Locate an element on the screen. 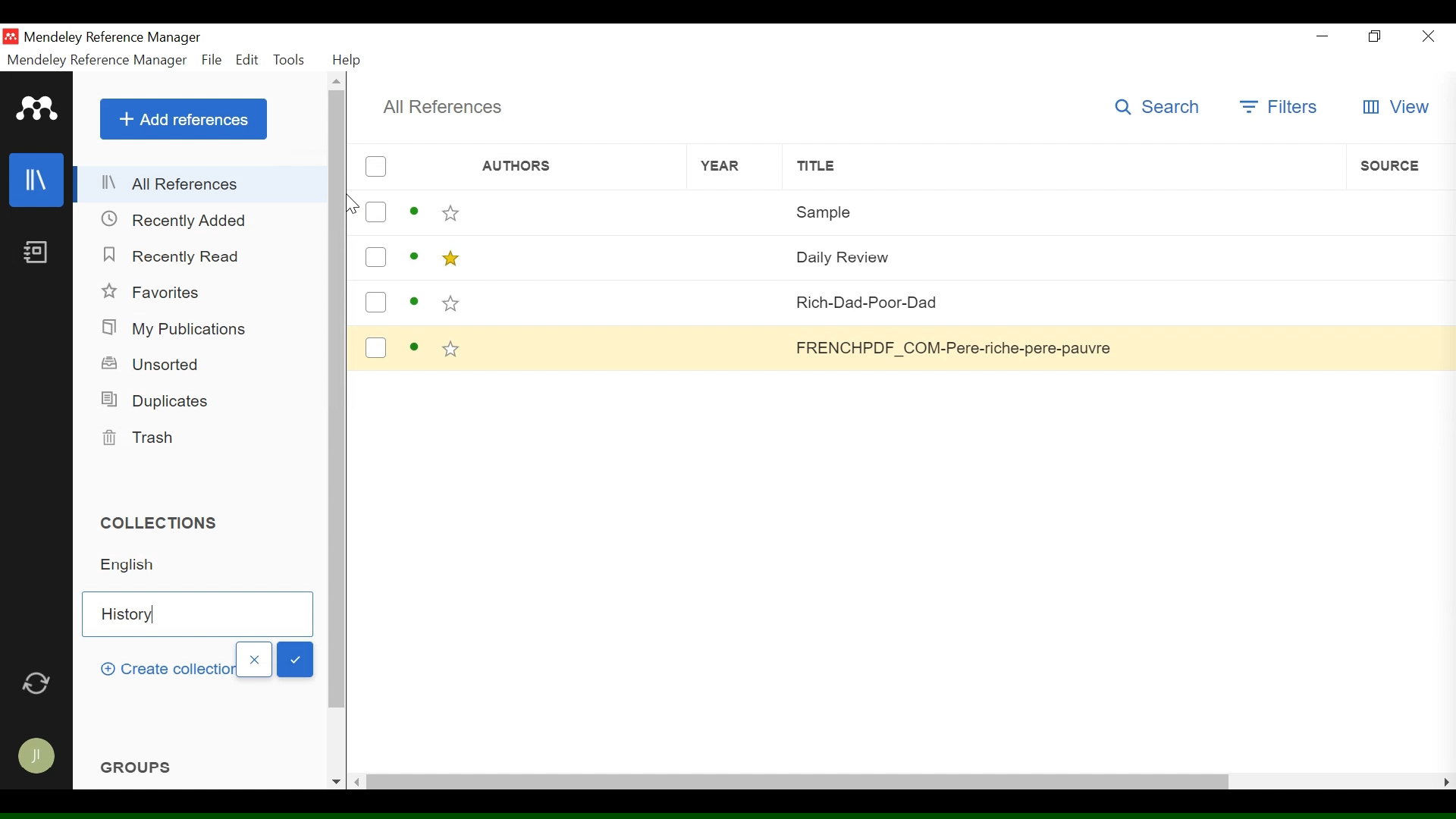 The height and width of the screenshot is (819, 1456). Cursor is located at coordinates (350, 204).